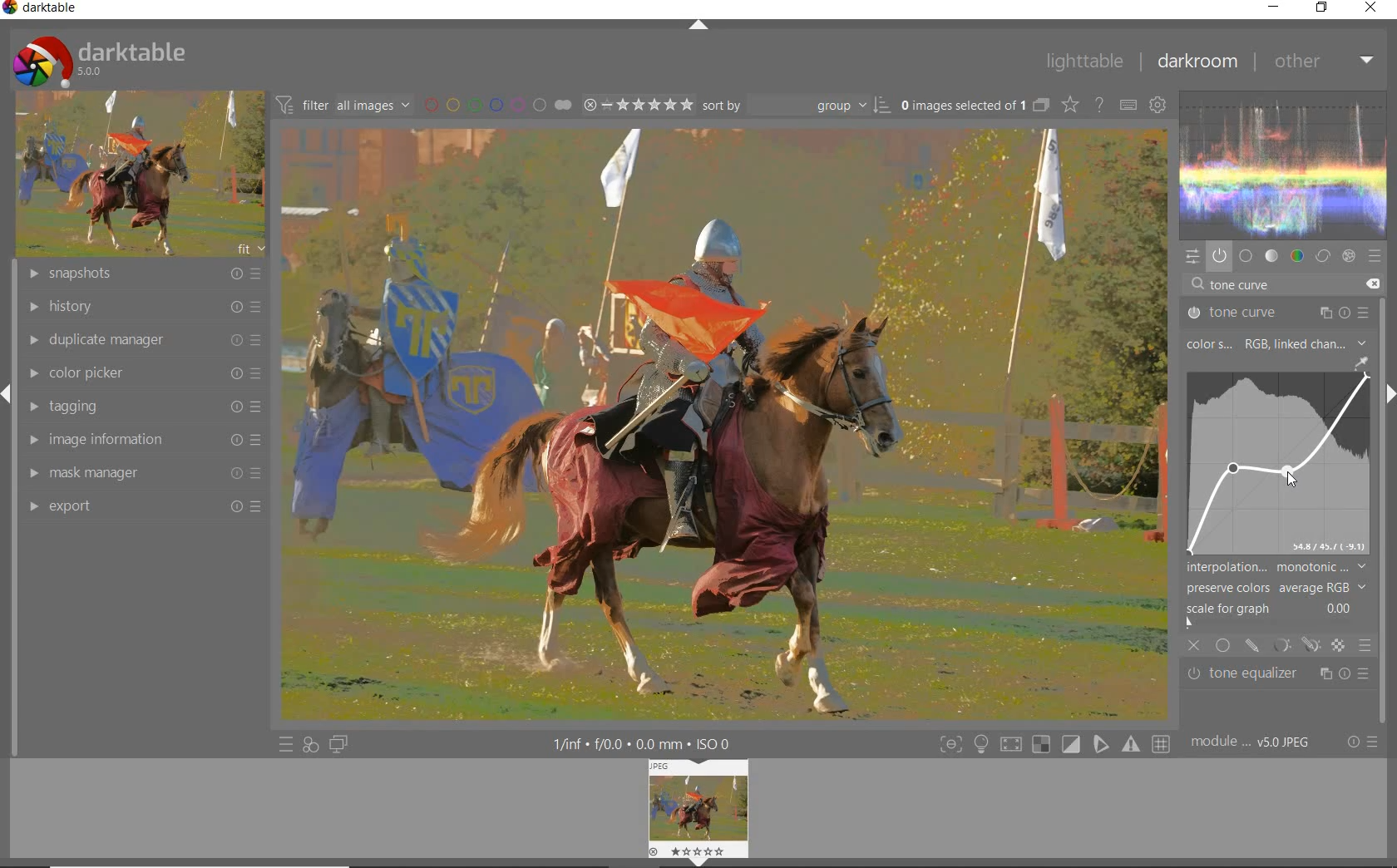 The image size is (1397, 868). I want to click on darktable, so click(45, 10).